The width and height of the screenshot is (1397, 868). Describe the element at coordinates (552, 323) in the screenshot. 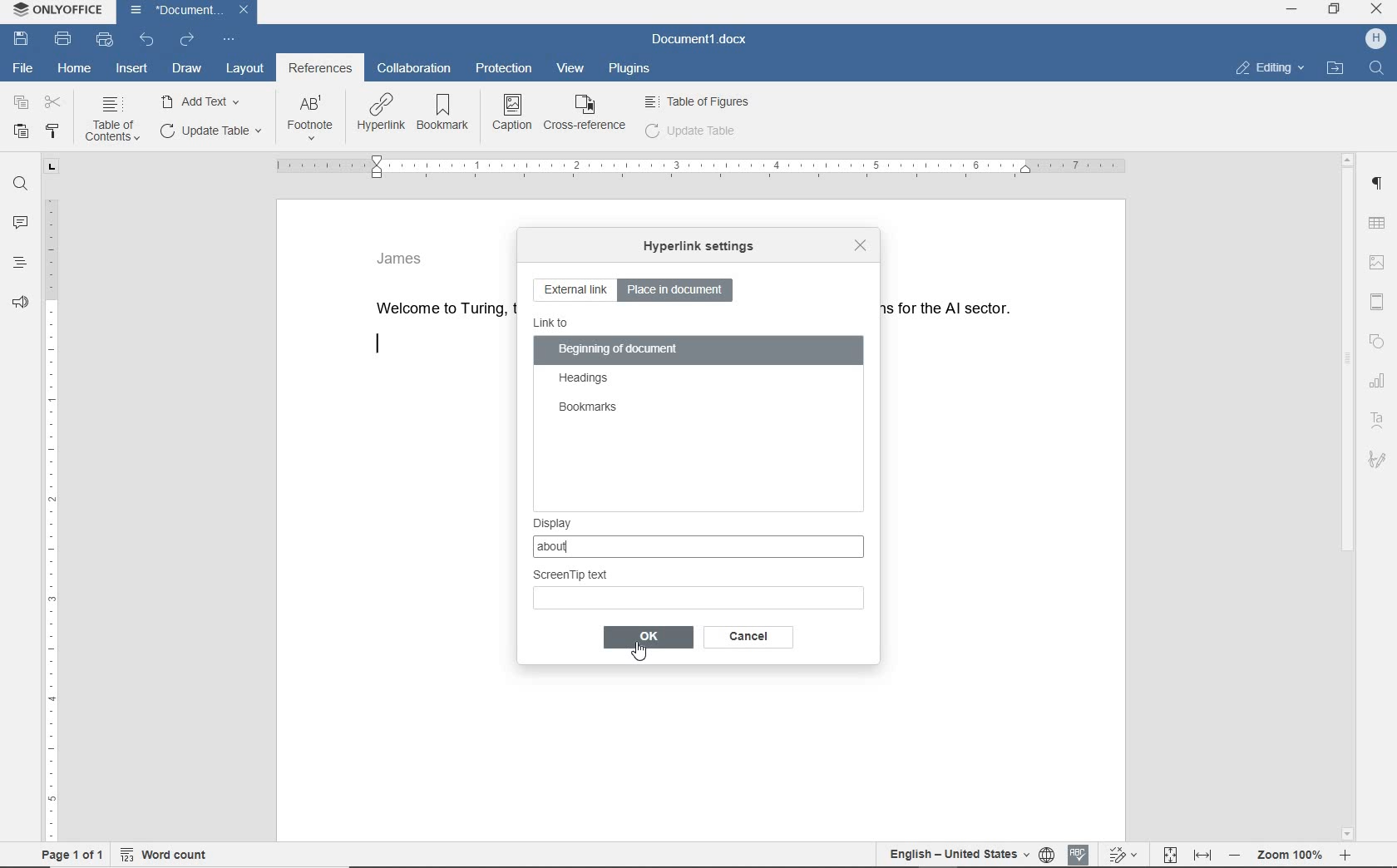

I see `link to` at that location.